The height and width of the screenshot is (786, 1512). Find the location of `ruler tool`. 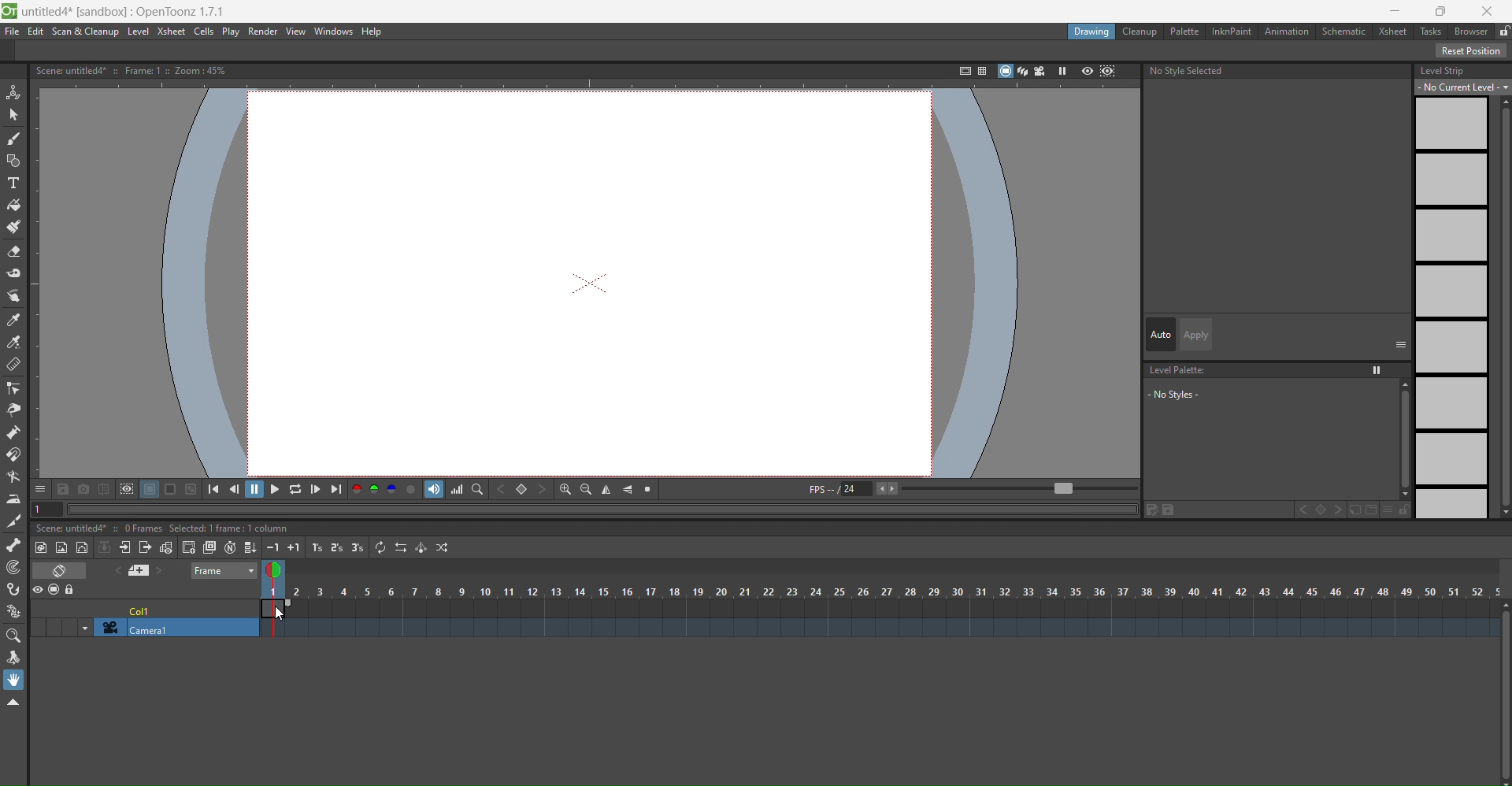

ruler tool is located at coordinates (13, 365).